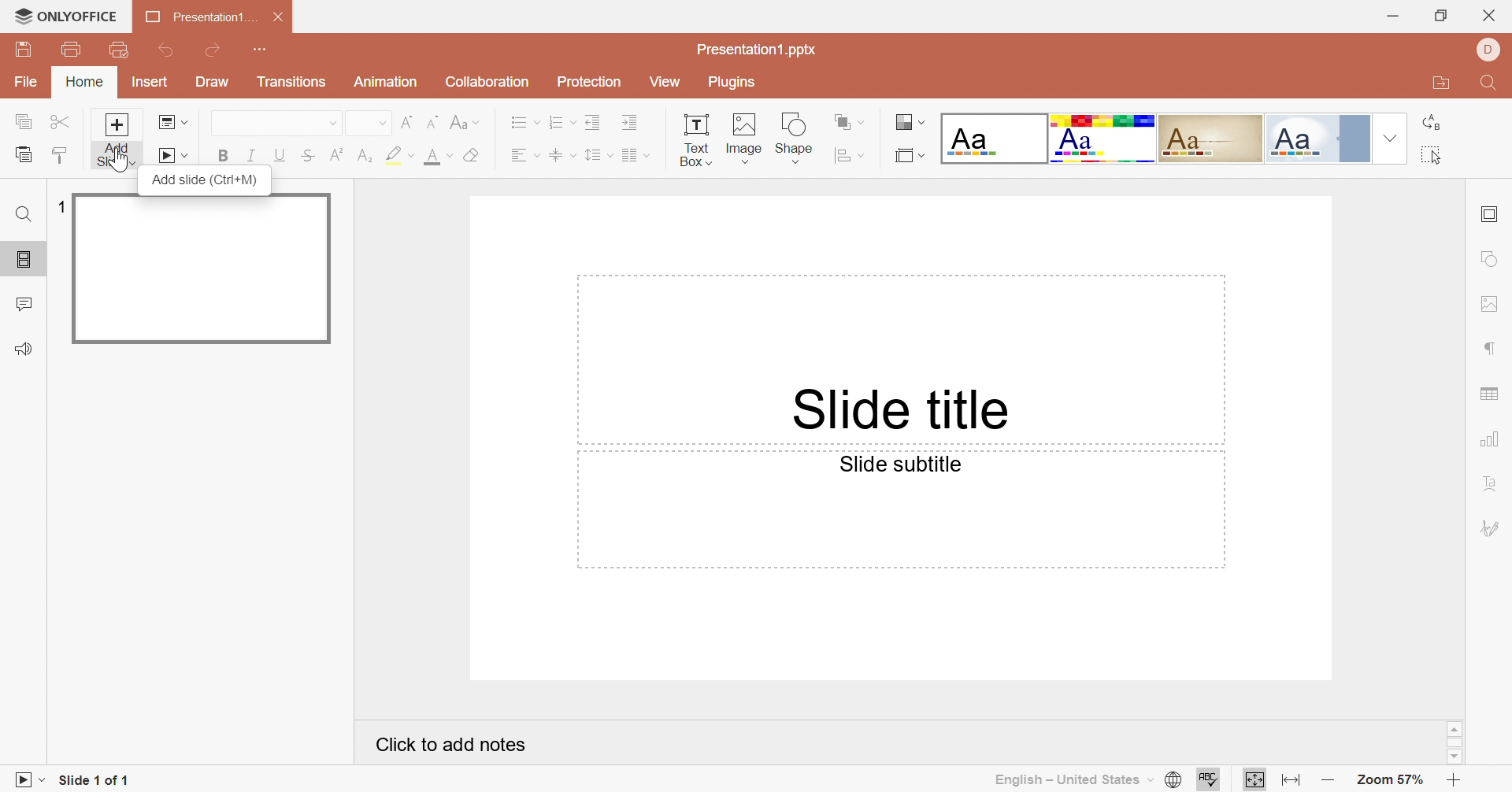  I want to click on Increment font size, so click(409, 124).